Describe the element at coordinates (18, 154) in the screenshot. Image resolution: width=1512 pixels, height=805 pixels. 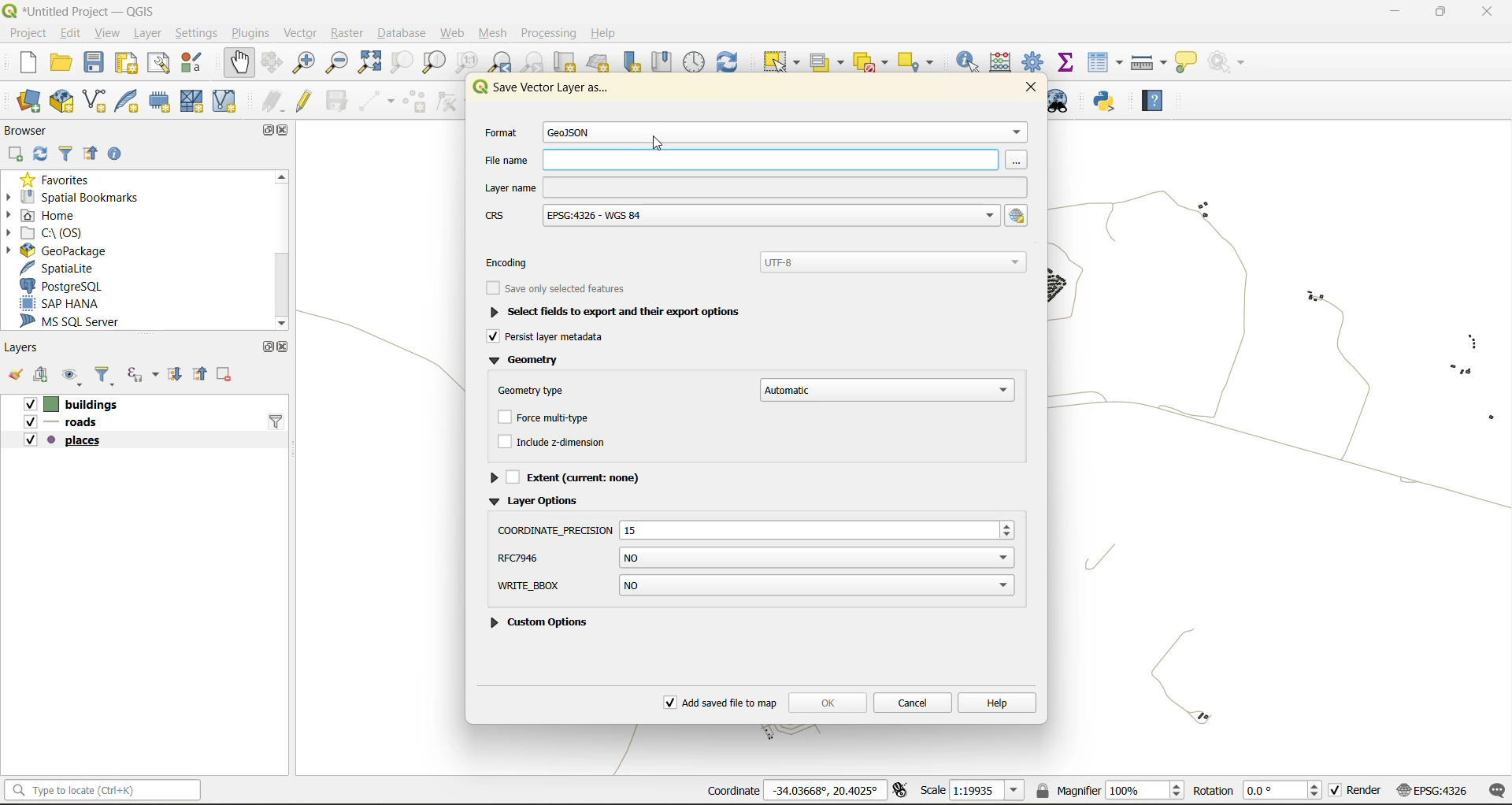
I see `add` at that location.